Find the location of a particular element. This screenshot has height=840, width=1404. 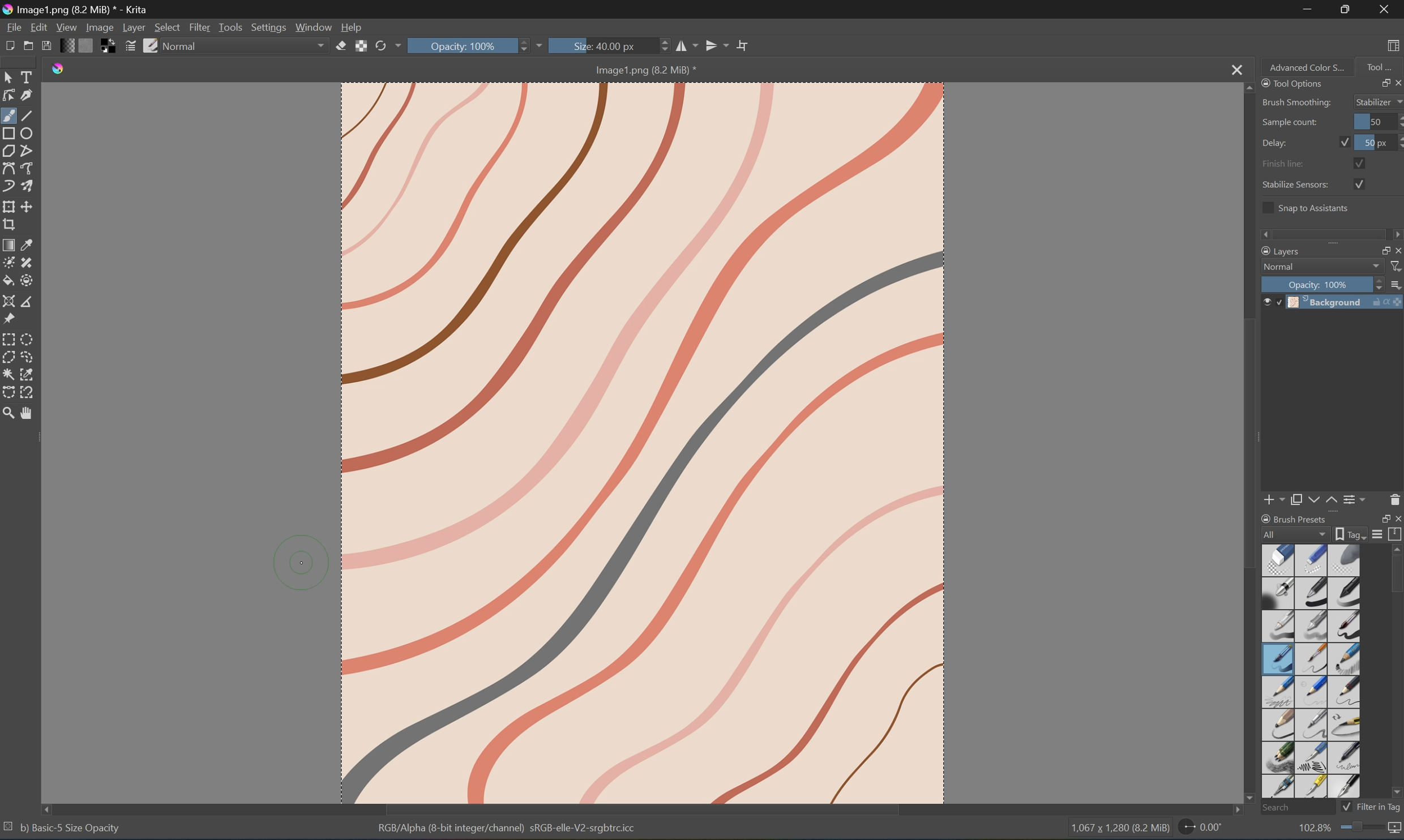

Visibility is located at coordinates (1265, 298).